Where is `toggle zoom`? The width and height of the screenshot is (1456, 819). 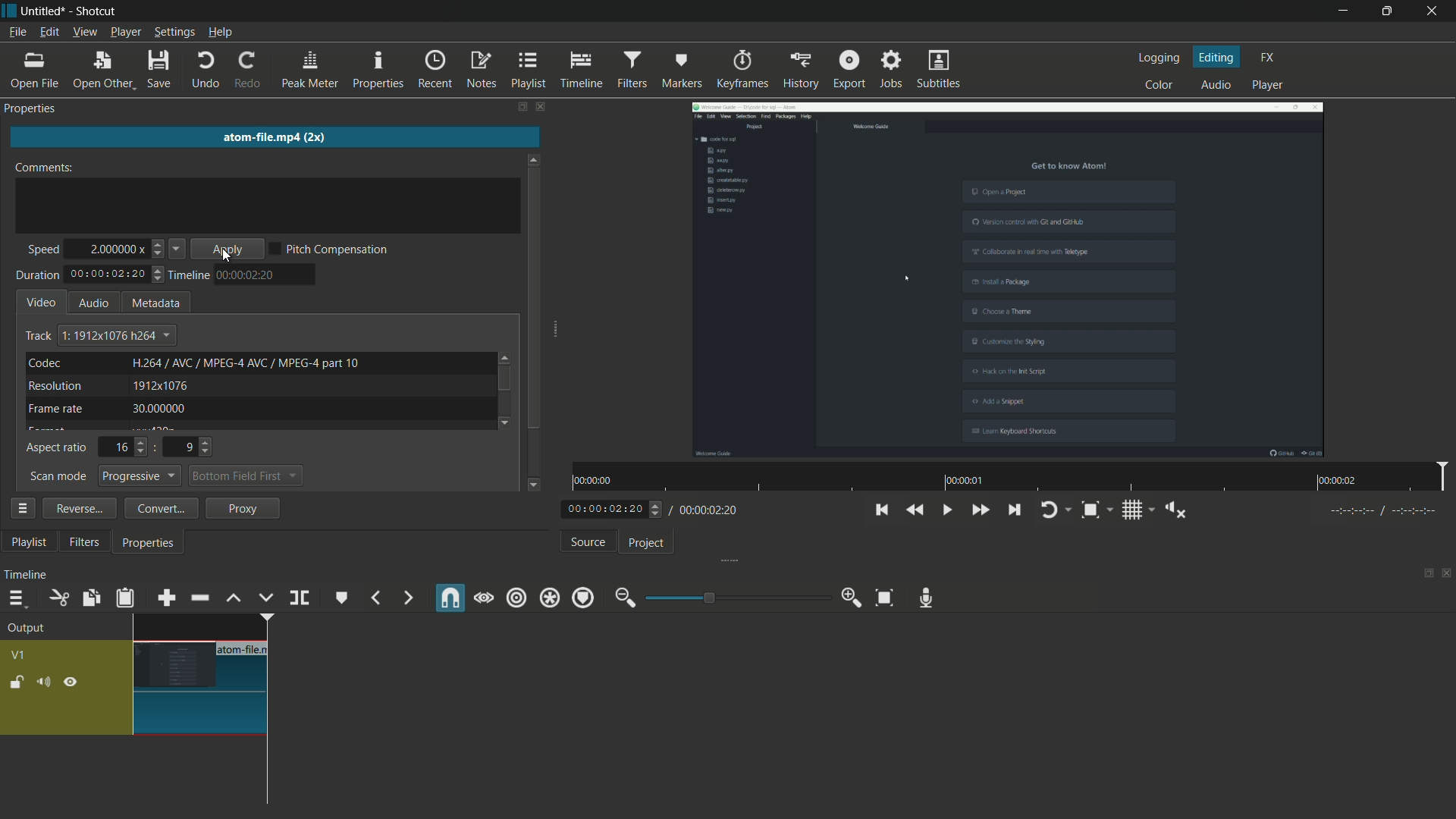 toggle zoom is located at coordinates (1093, 510).